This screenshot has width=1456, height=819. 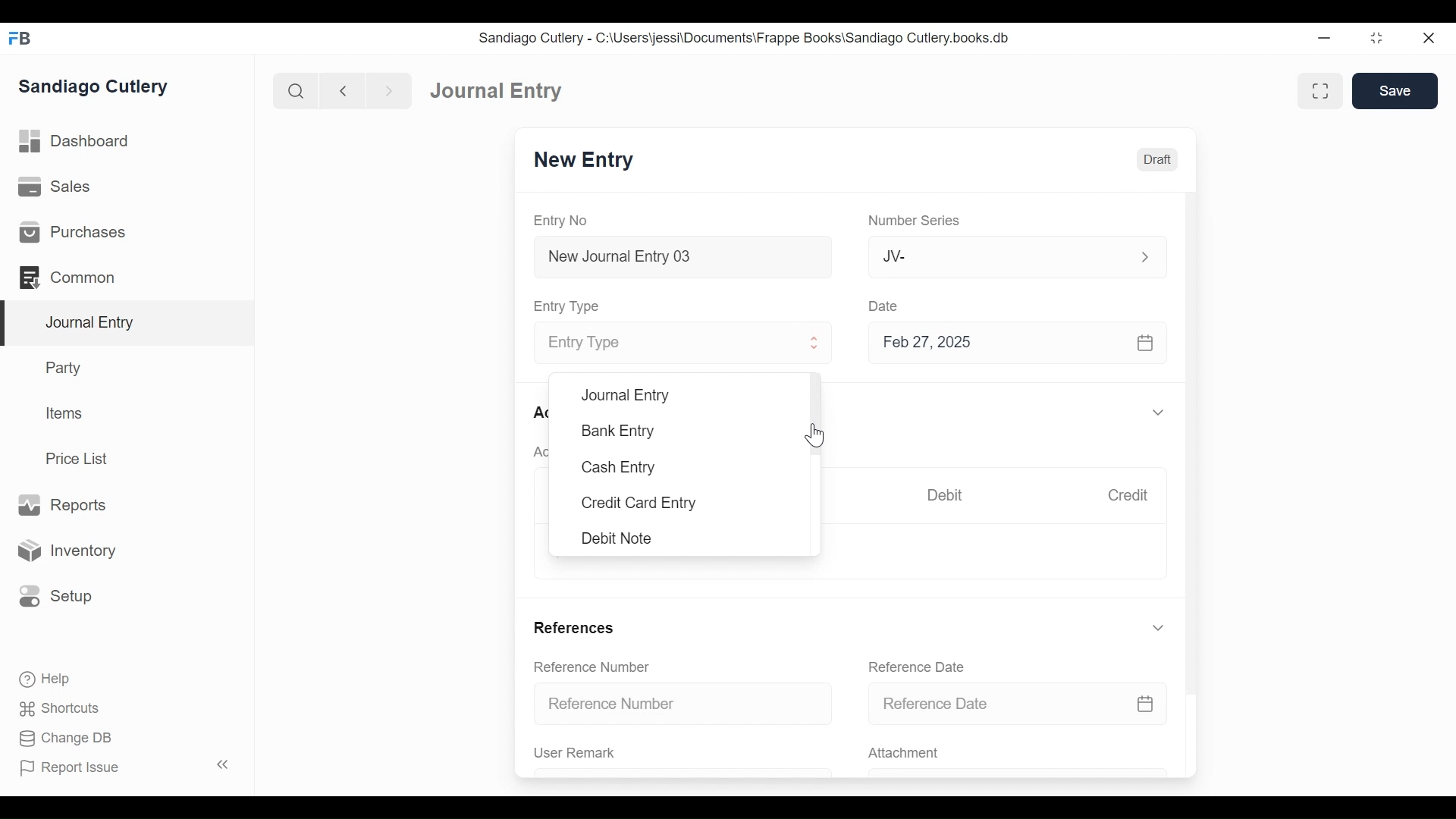 I want to click on Items, so click(x=62, y=413).